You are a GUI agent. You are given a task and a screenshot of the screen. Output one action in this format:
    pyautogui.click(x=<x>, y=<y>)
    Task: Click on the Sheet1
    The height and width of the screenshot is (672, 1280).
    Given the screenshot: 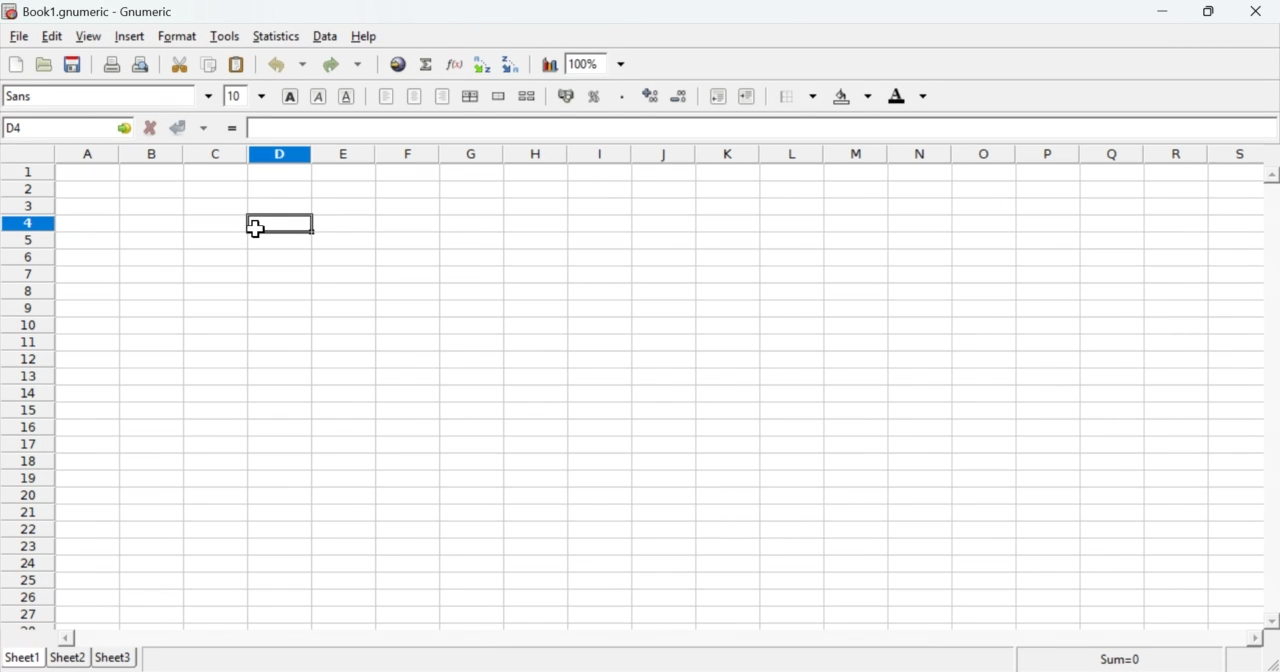 What is the action you would take?
    pyautogui.click(x=23, y=658)
    